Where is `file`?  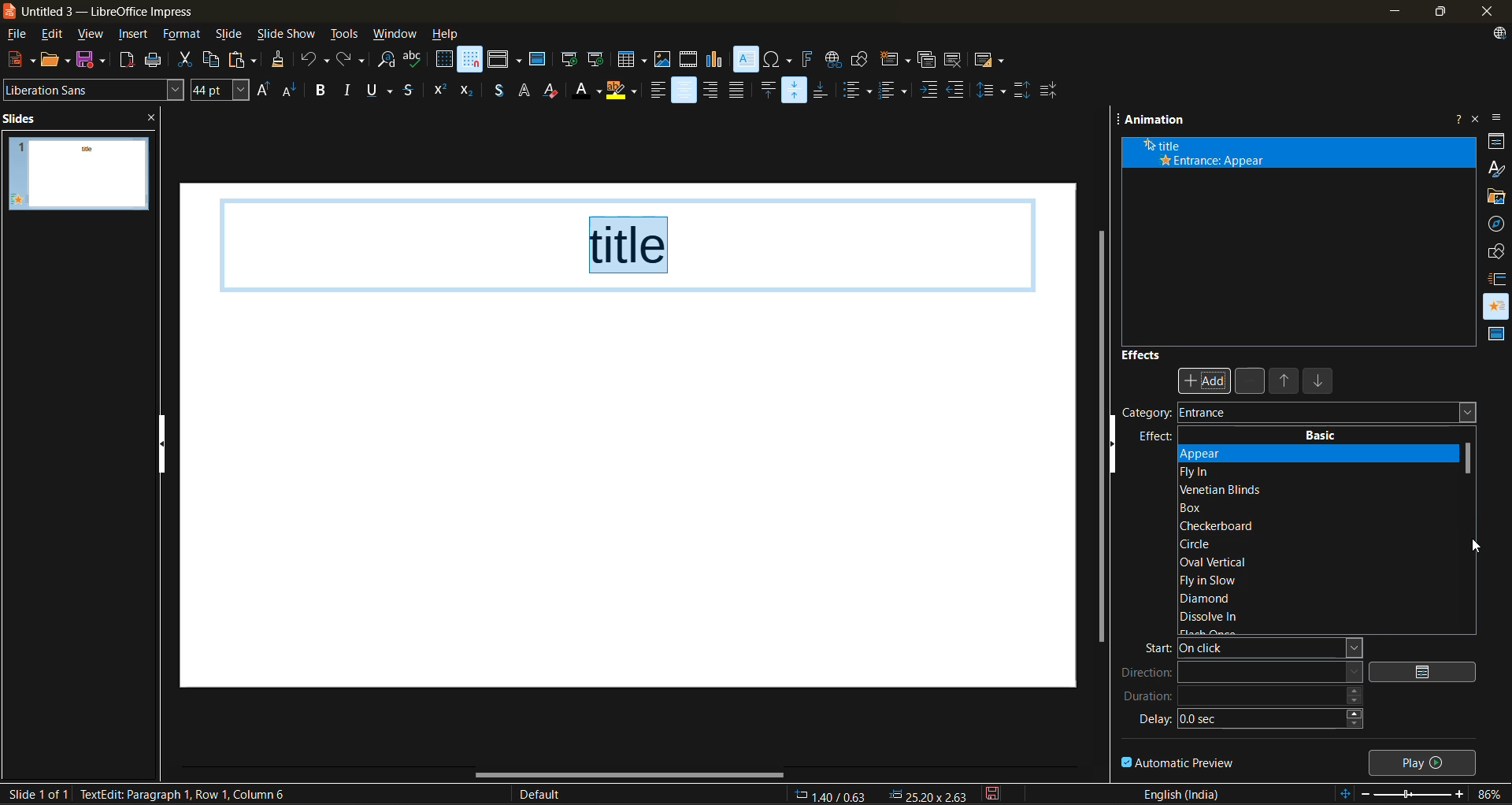 file is located at coordinates (21, 35).